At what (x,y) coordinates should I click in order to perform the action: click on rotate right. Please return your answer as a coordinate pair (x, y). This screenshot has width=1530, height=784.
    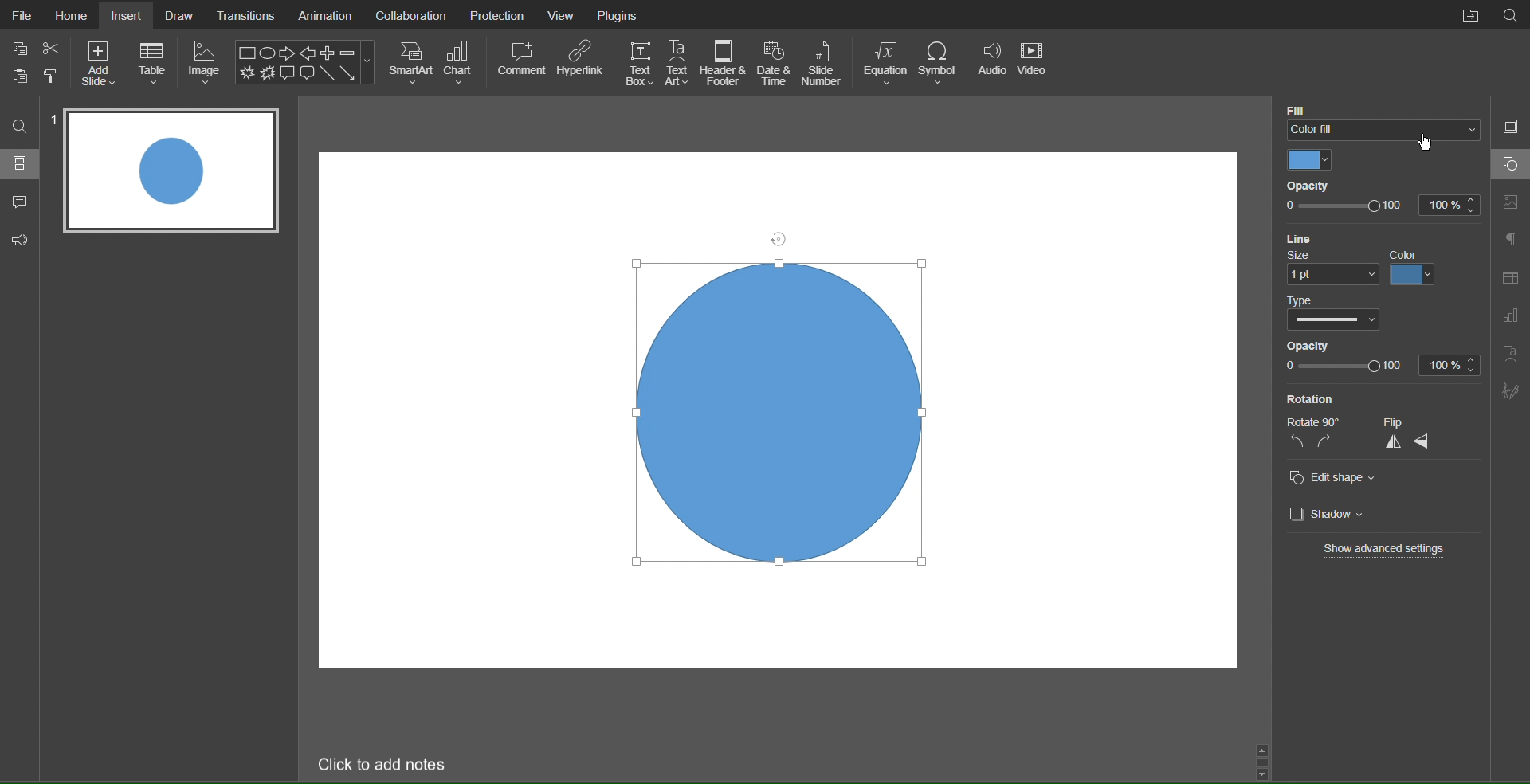
    Looking at the image, I should click on (1324, 442).